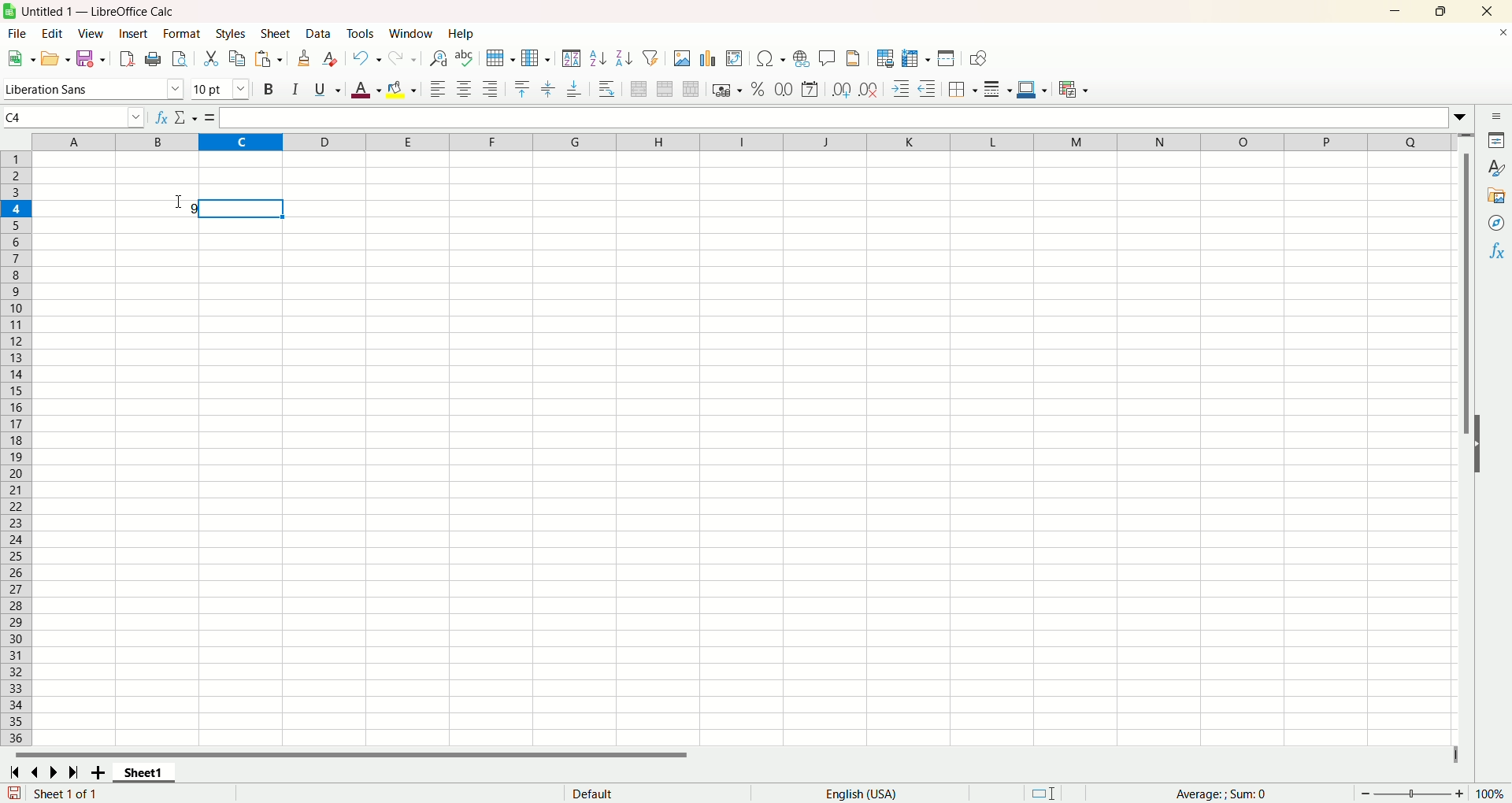  I want to click on merge cells, so click(667, 89).